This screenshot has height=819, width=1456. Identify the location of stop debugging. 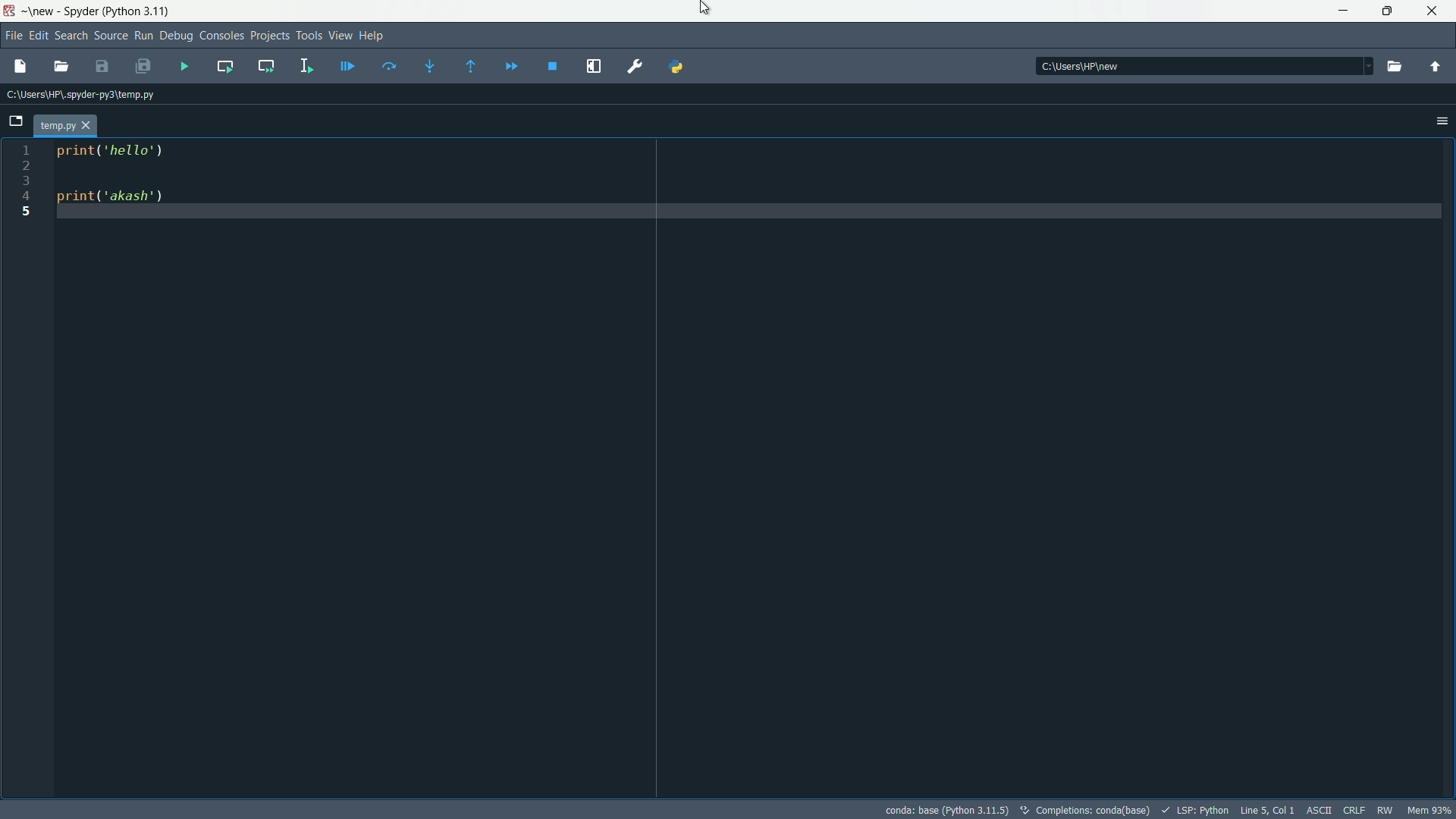
(554, 66).